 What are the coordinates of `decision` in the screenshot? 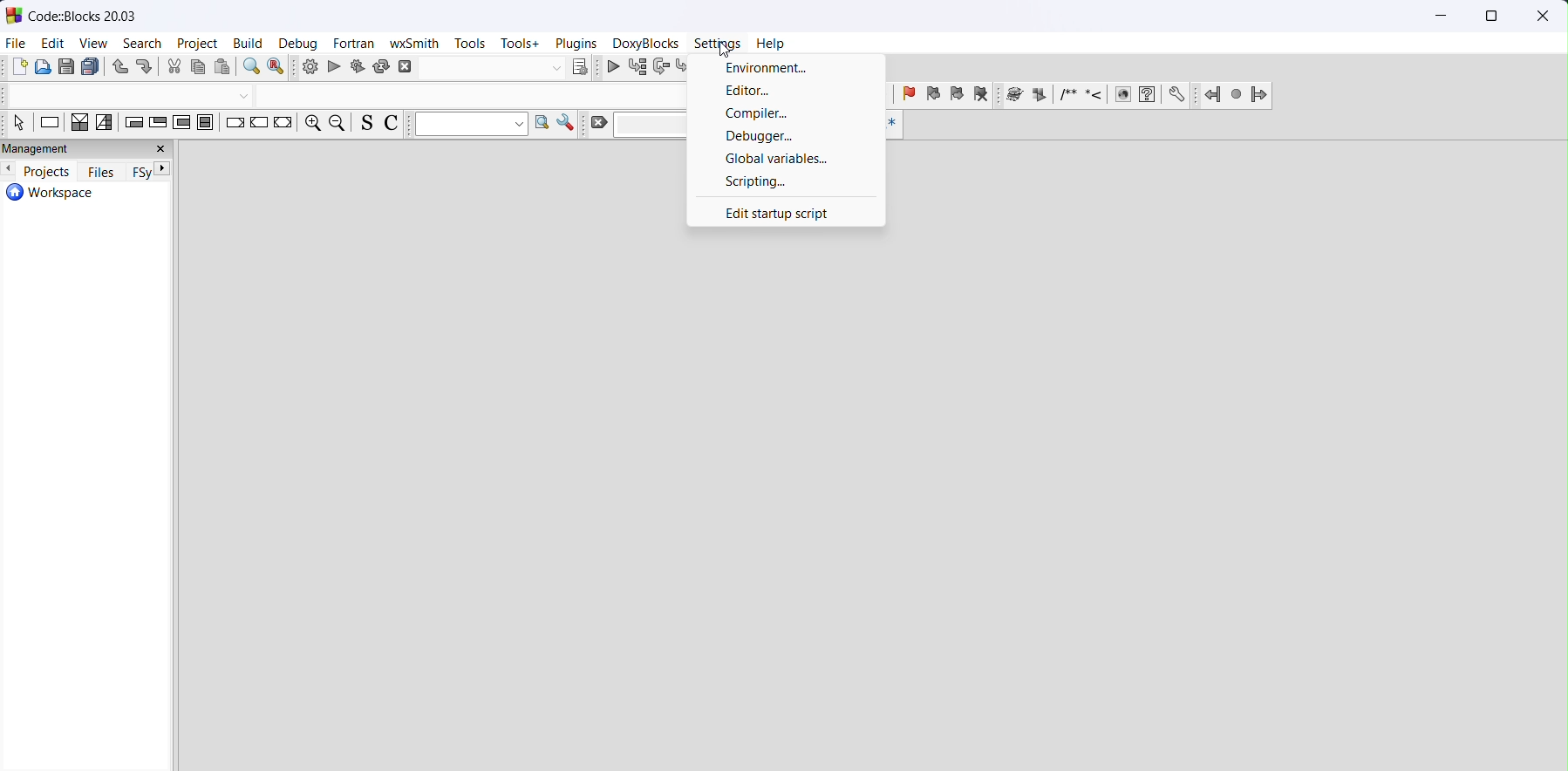 It's located at (79, 124).